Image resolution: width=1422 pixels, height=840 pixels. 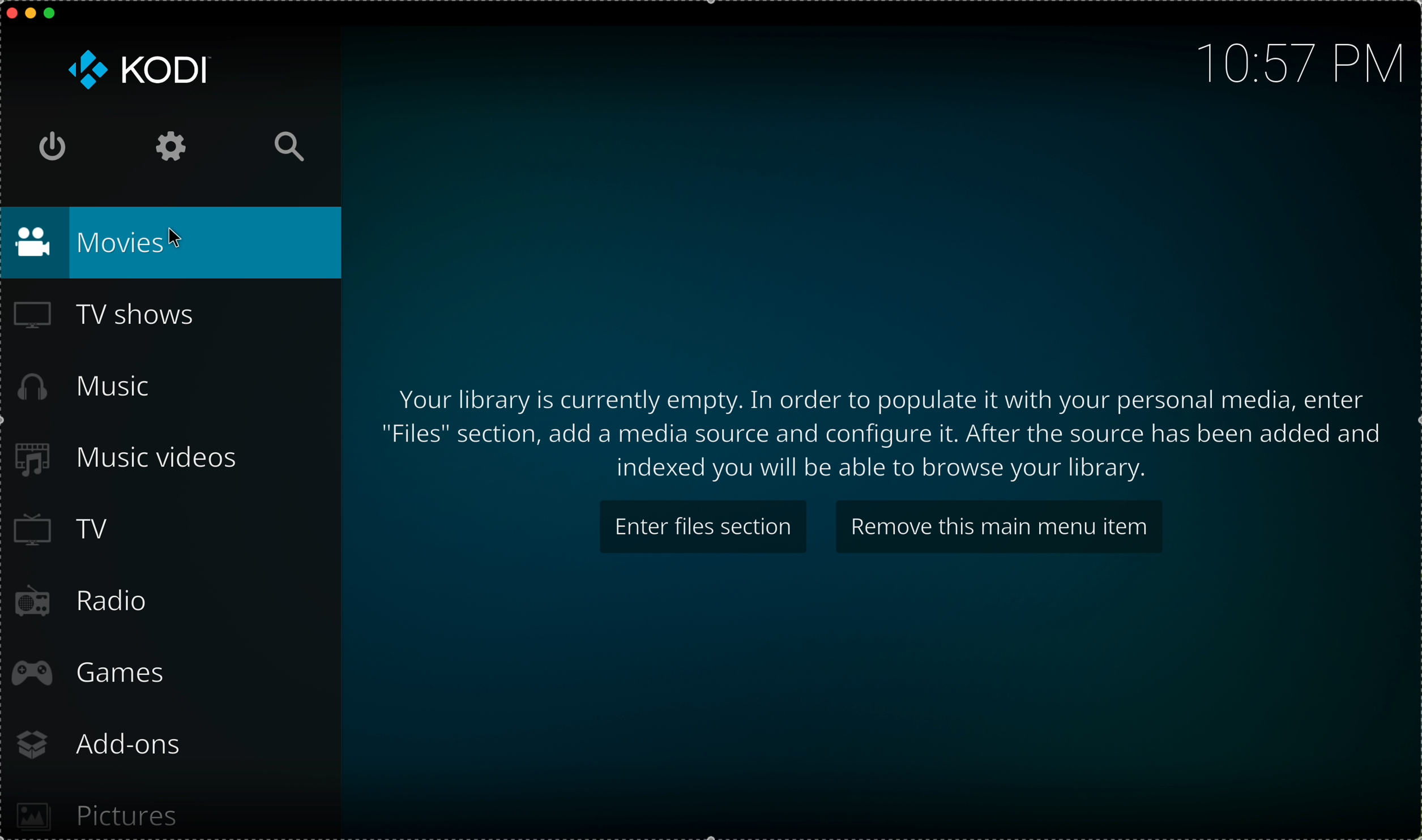 What do you see at coordinates (173, 242) in the screenshot?
I see `movies` at bounding box center [173, 242].